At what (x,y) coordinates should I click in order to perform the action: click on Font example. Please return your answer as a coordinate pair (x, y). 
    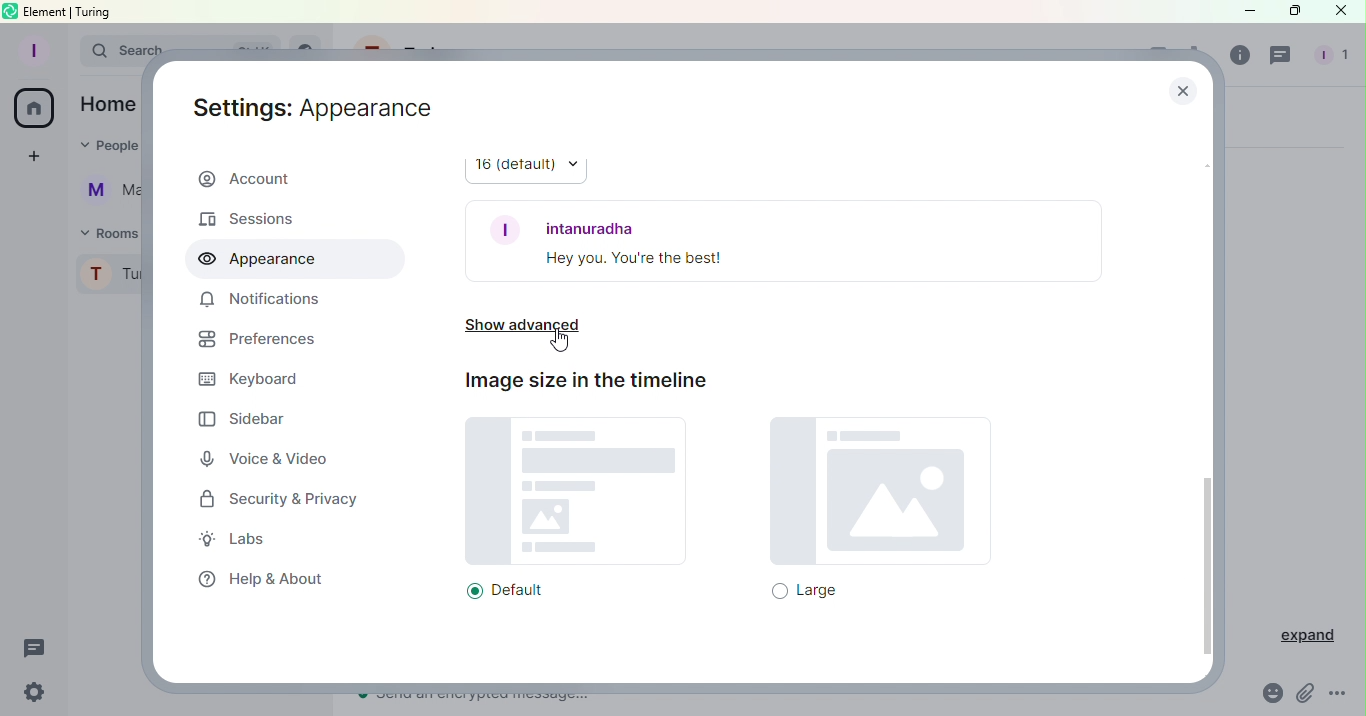
    Looking at the image, I should click on (786, 238).